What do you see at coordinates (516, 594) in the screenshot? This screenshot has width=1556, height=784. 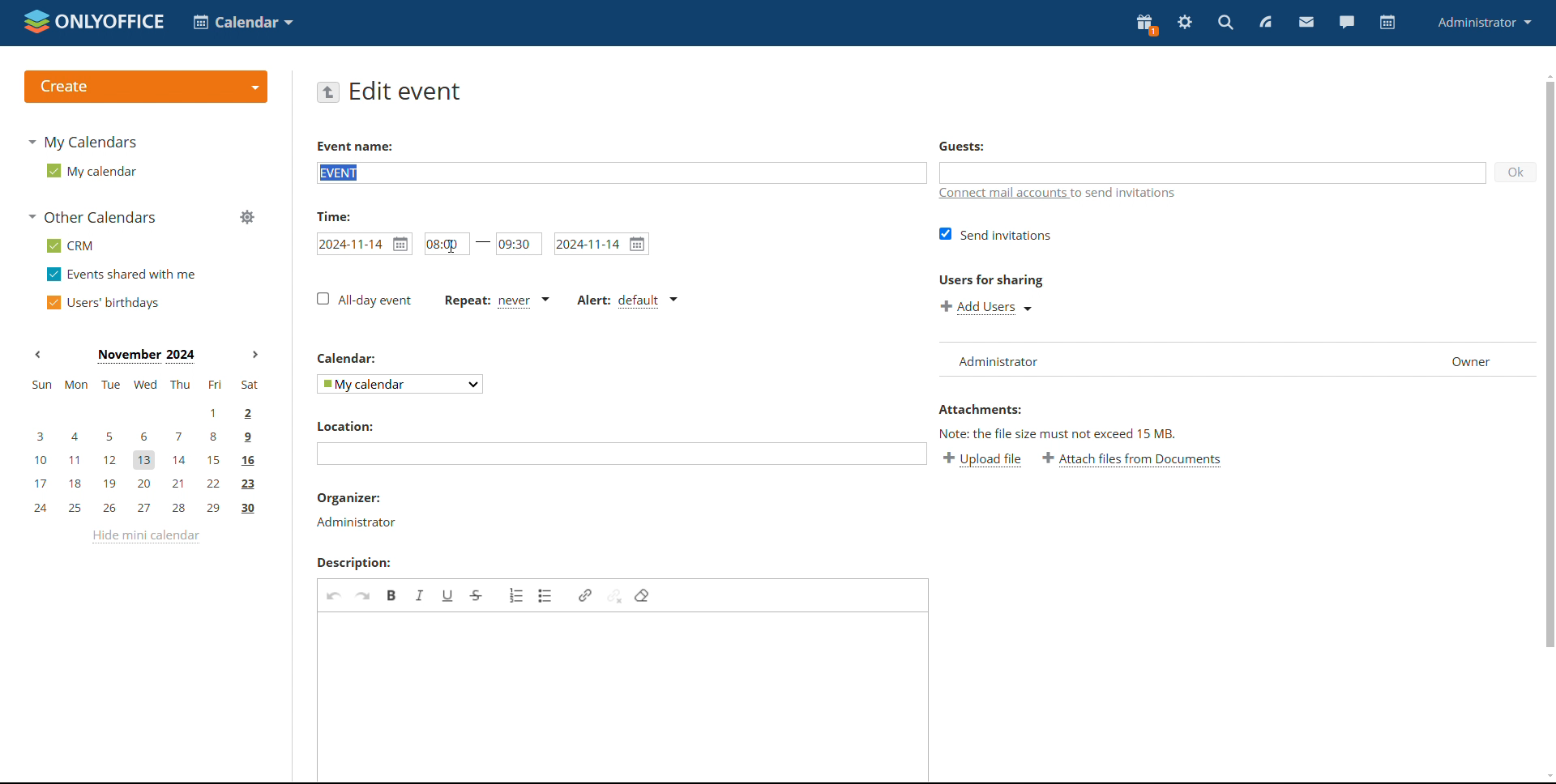 I see `insert/remove numbered list` at bounding box center [516, 594].